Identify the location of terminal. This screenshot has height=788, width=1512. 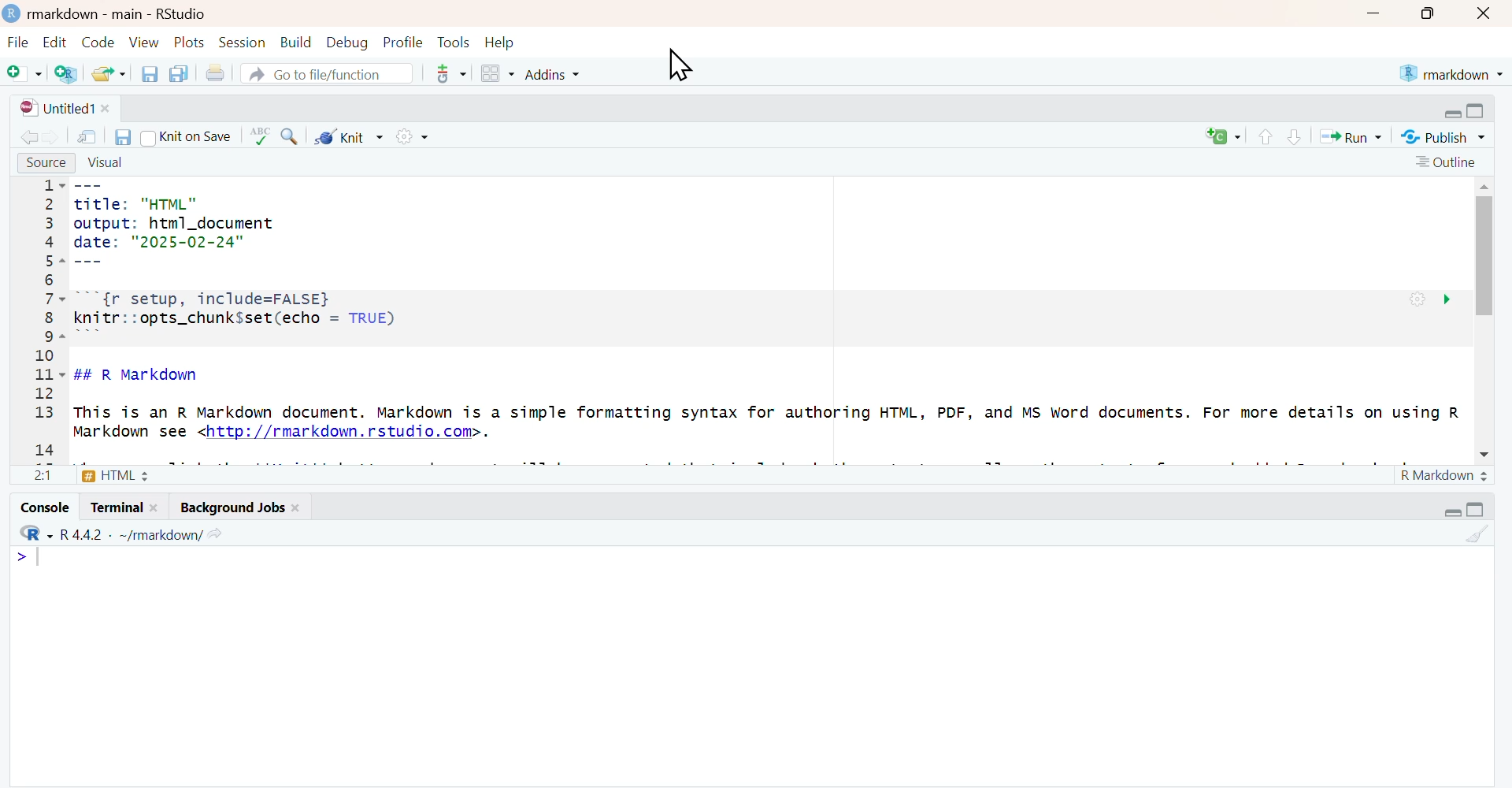
(124, 506).